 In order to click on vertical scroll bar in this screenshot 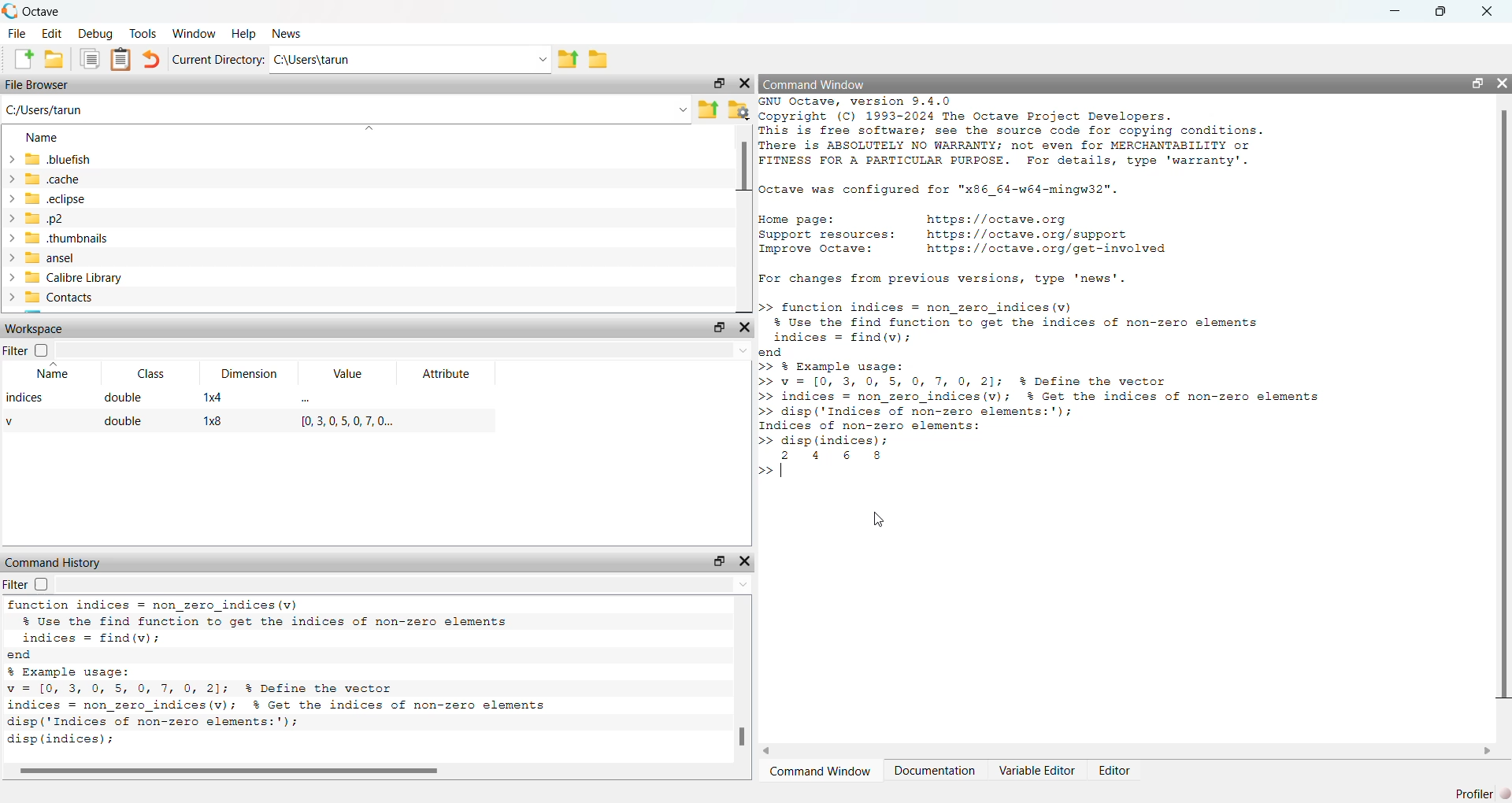, I will do `click(743, 217)`.